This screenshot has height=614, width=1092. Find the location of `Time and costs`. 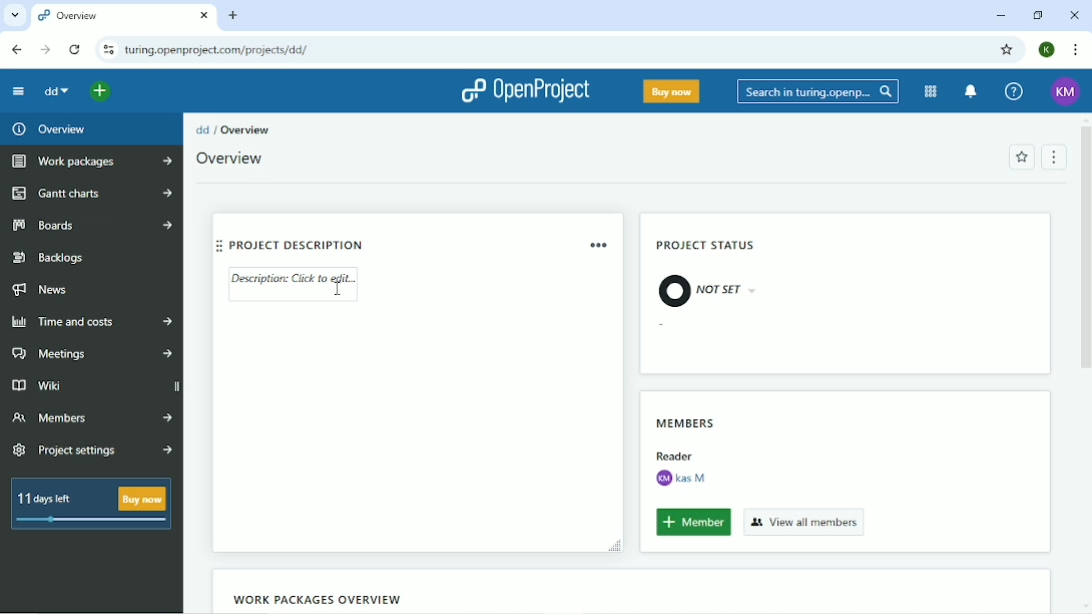

Time and costs is located at coordinates (92, 322).